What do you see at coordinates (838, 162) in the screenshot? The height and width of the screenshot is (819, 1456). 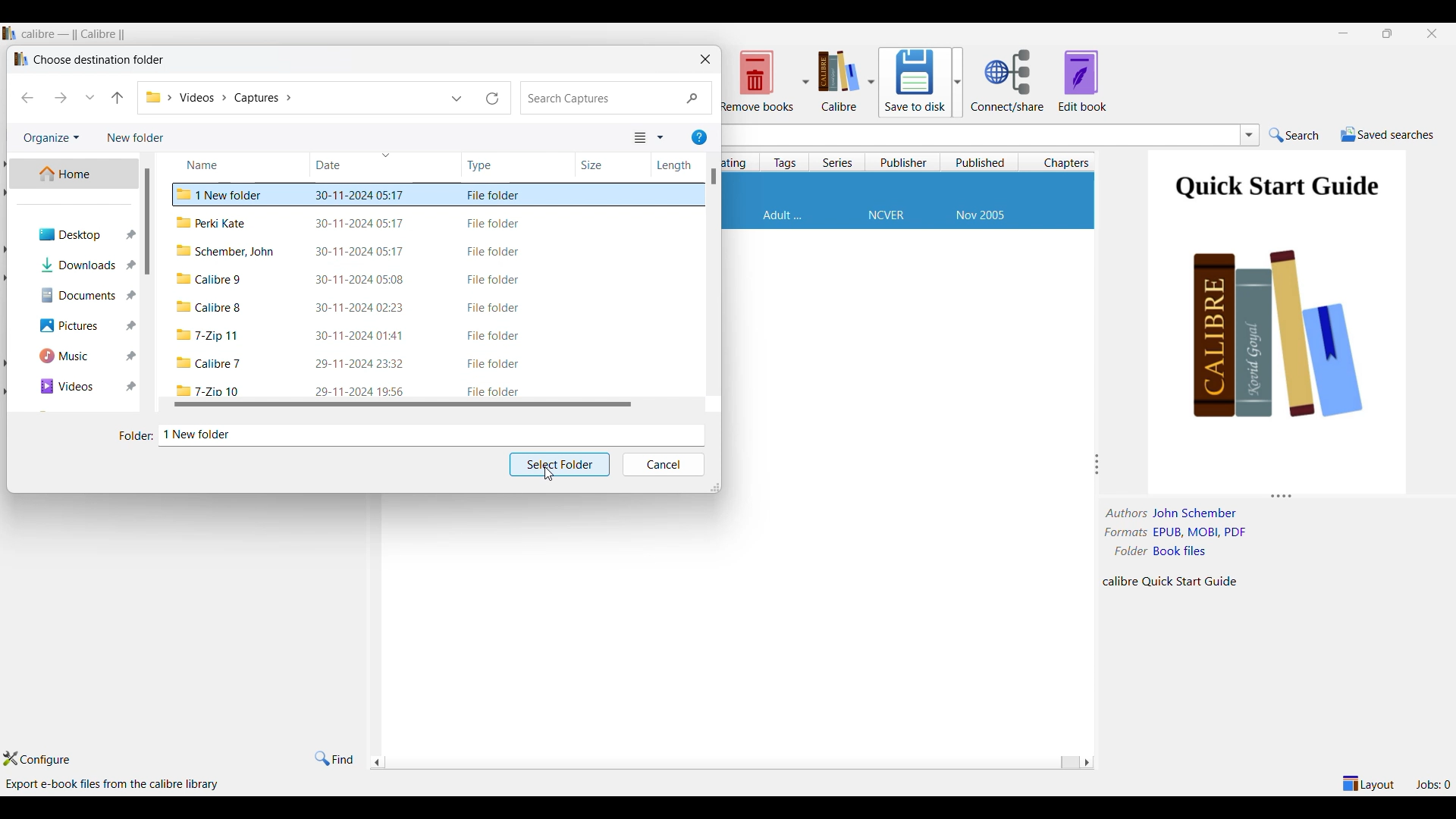 I see `Series column` at bounding box center [838, 162].